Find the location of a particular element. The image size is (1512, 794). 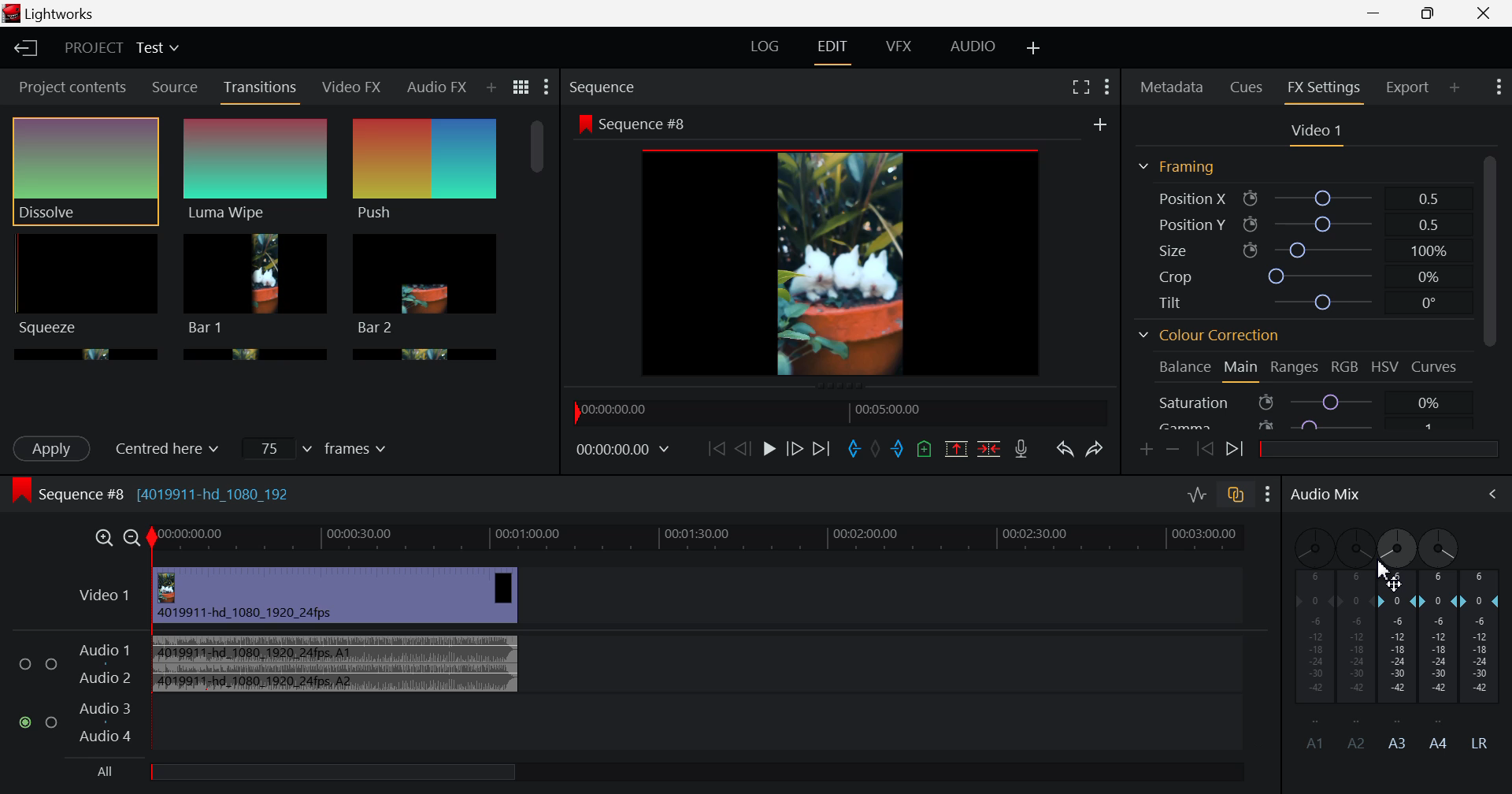

Transitions Panel Open is located at coordinates (261, 92).